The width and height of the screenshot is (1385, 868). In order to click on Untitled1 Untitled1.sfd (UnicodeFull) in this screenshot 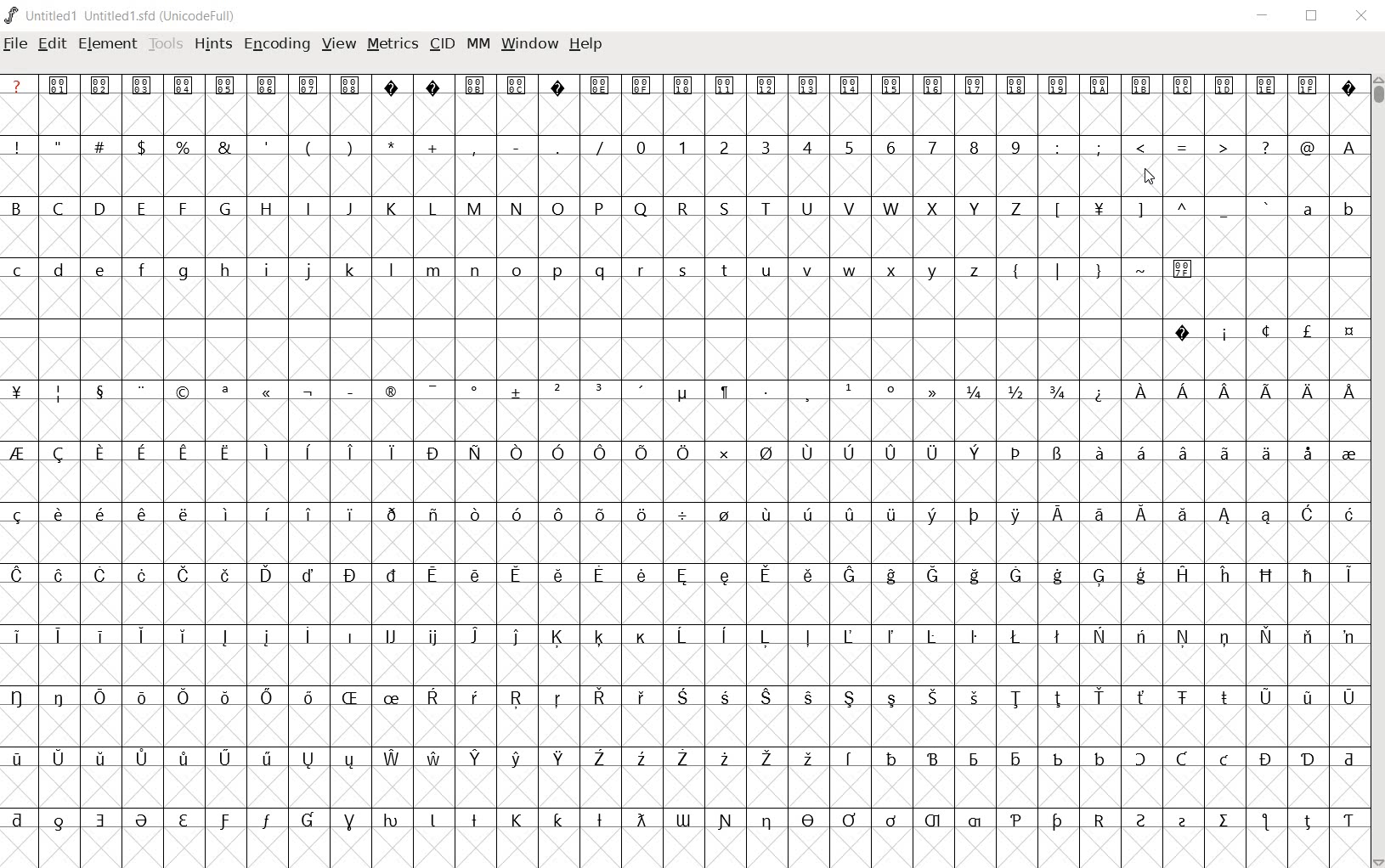, I will do `click(124, 15)`.